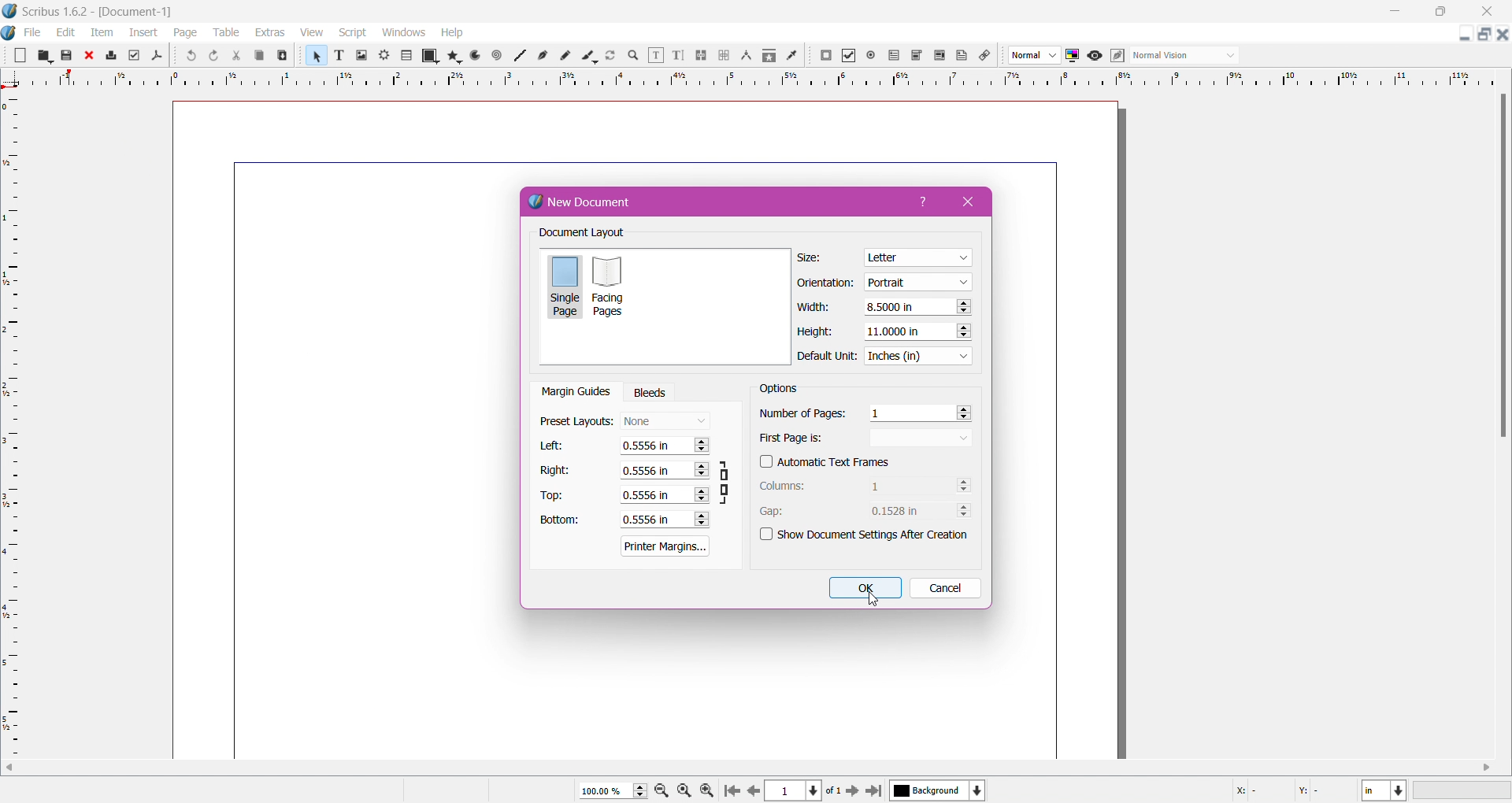 This screenshot has height=803, width=1512. Describe the element at coordinates (1499, 394) in the screenshot. I see `horizontal scroll bar` at that location.